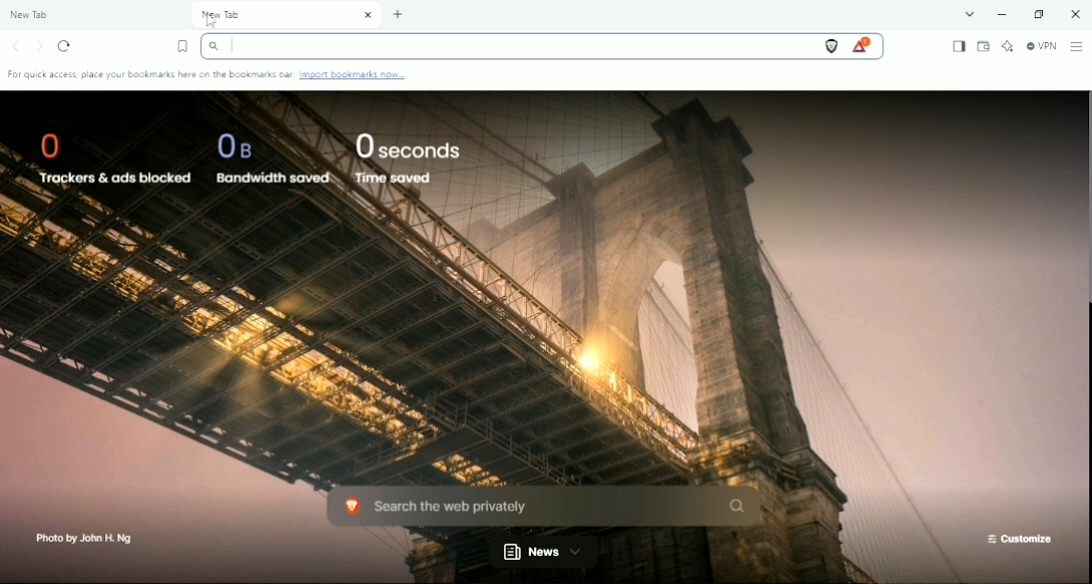 This screenshot has width=1092, height=584. I want to click on Customize and control Brave, so click(1077, 46).